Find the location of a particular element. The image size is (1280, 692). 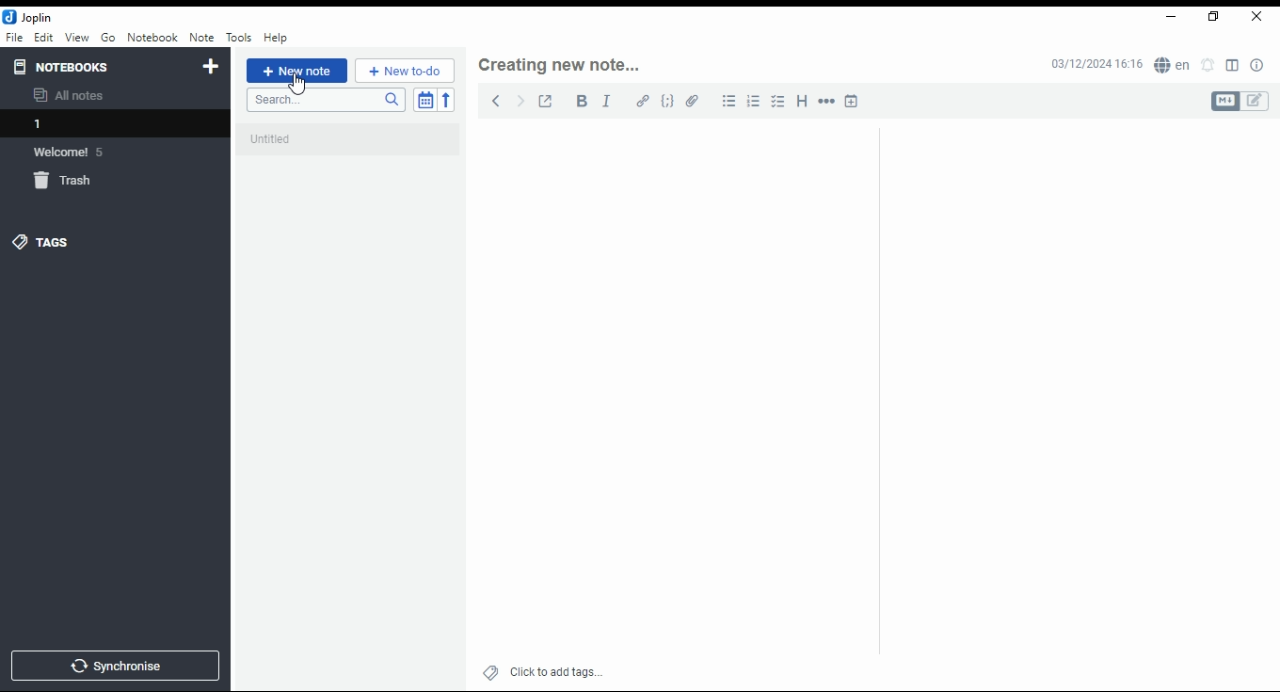

attach file is located at coordinates (693, 100).